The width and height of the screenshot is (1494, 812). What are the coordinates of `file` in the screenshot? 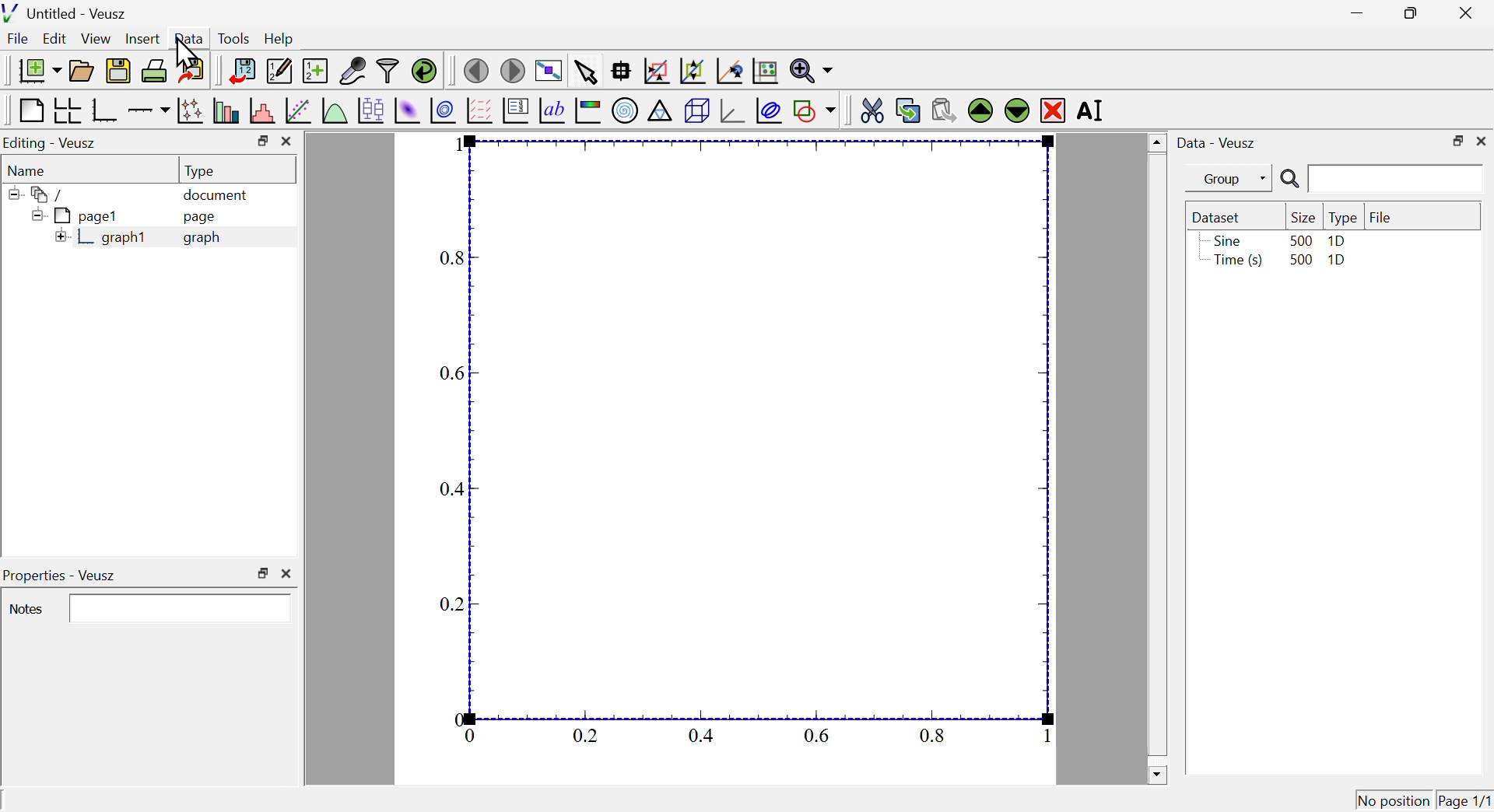 It's located at (1381, 215).